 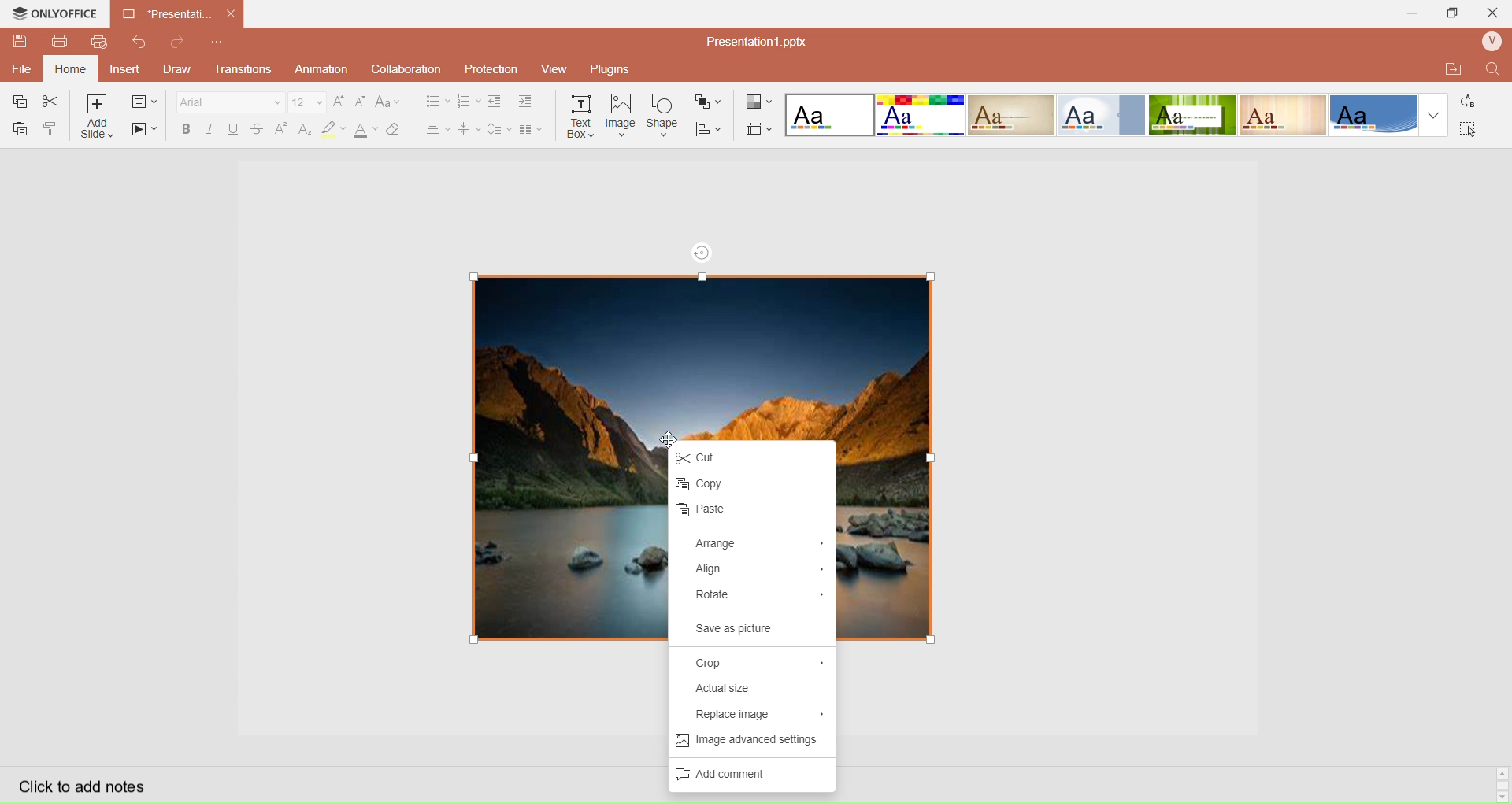 I want to click on Bullet Align, so click(x=436, y=102).